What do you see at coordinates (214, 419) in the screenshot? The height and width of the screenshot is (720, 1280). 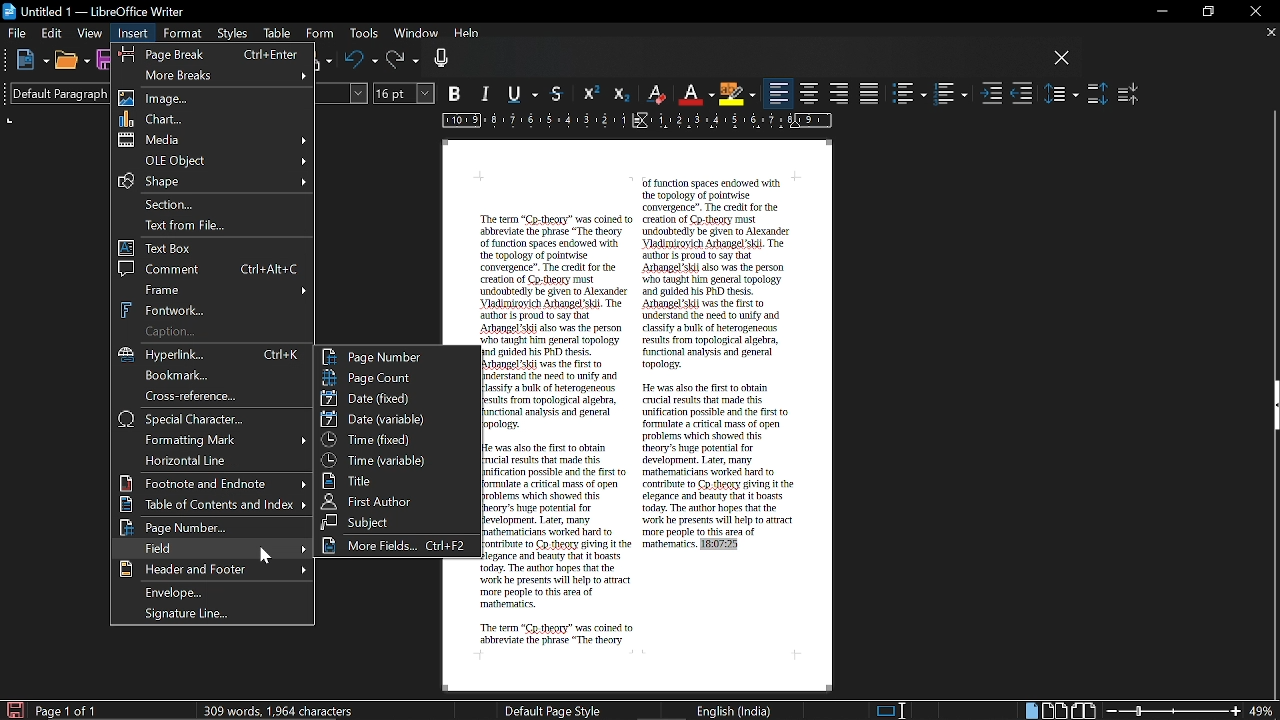 I see `Special character` at bounding box center [214, 419].